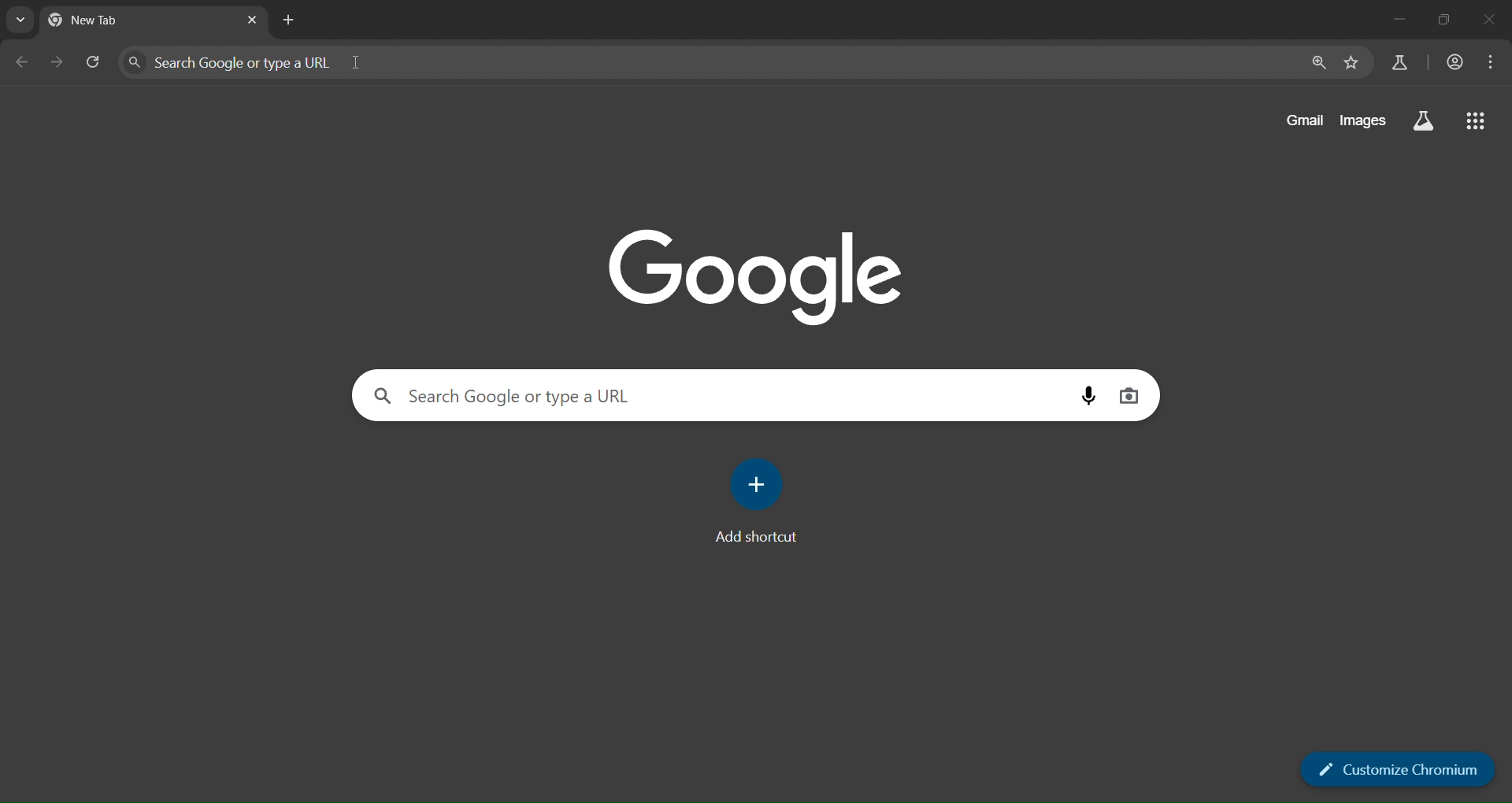  I want to click on voice search, so click(1087, 397).